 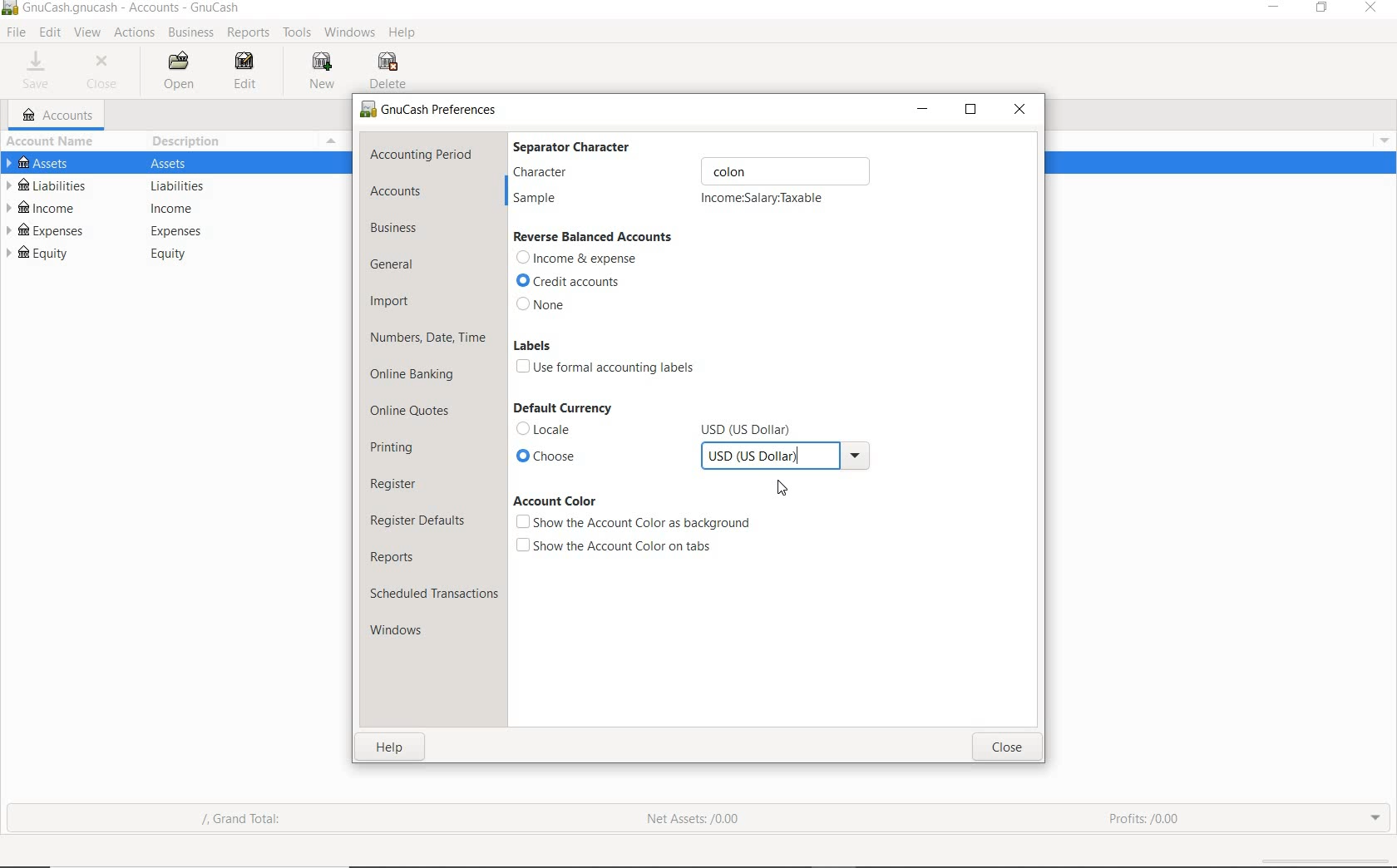 What do you see at coordinates (432, 112) in the screenshot?
I see `preferences` at bounding box center [432, 112].